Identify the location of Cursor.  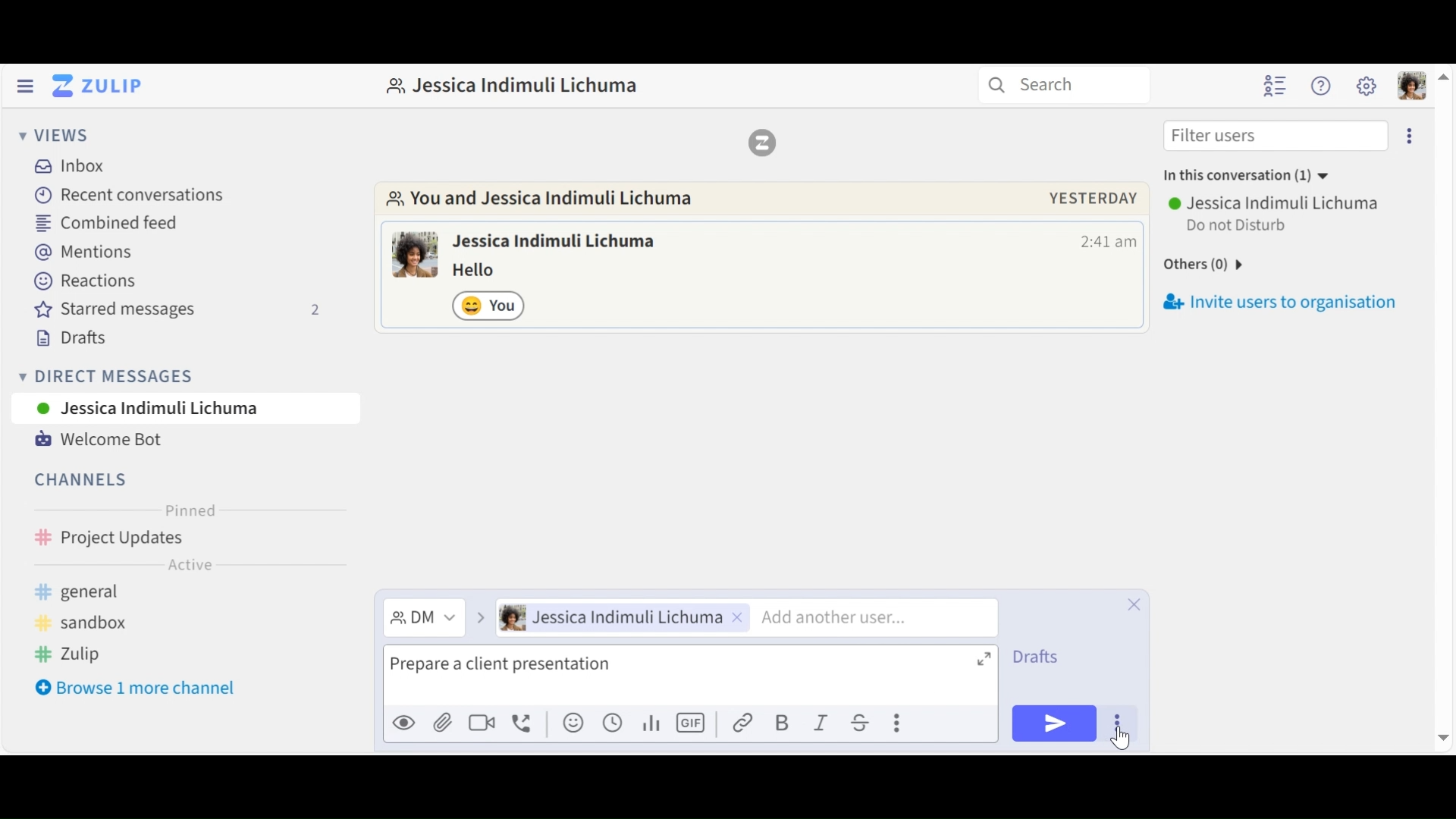
(1120, 738).